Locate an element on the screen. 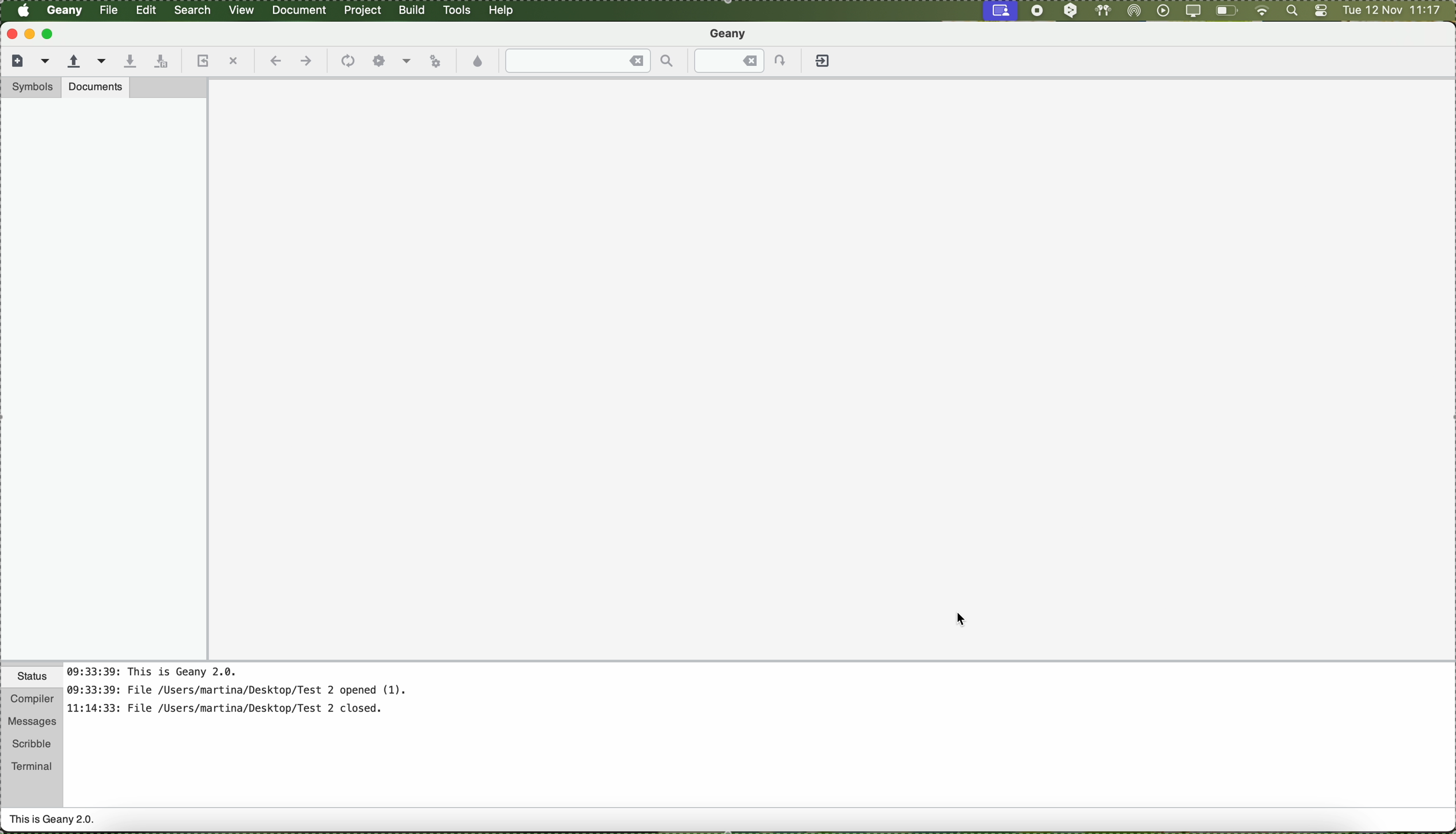 The width and height of the screenshot is (1456, 834). find the entered text in the current file is located at coordinates (590, 61).